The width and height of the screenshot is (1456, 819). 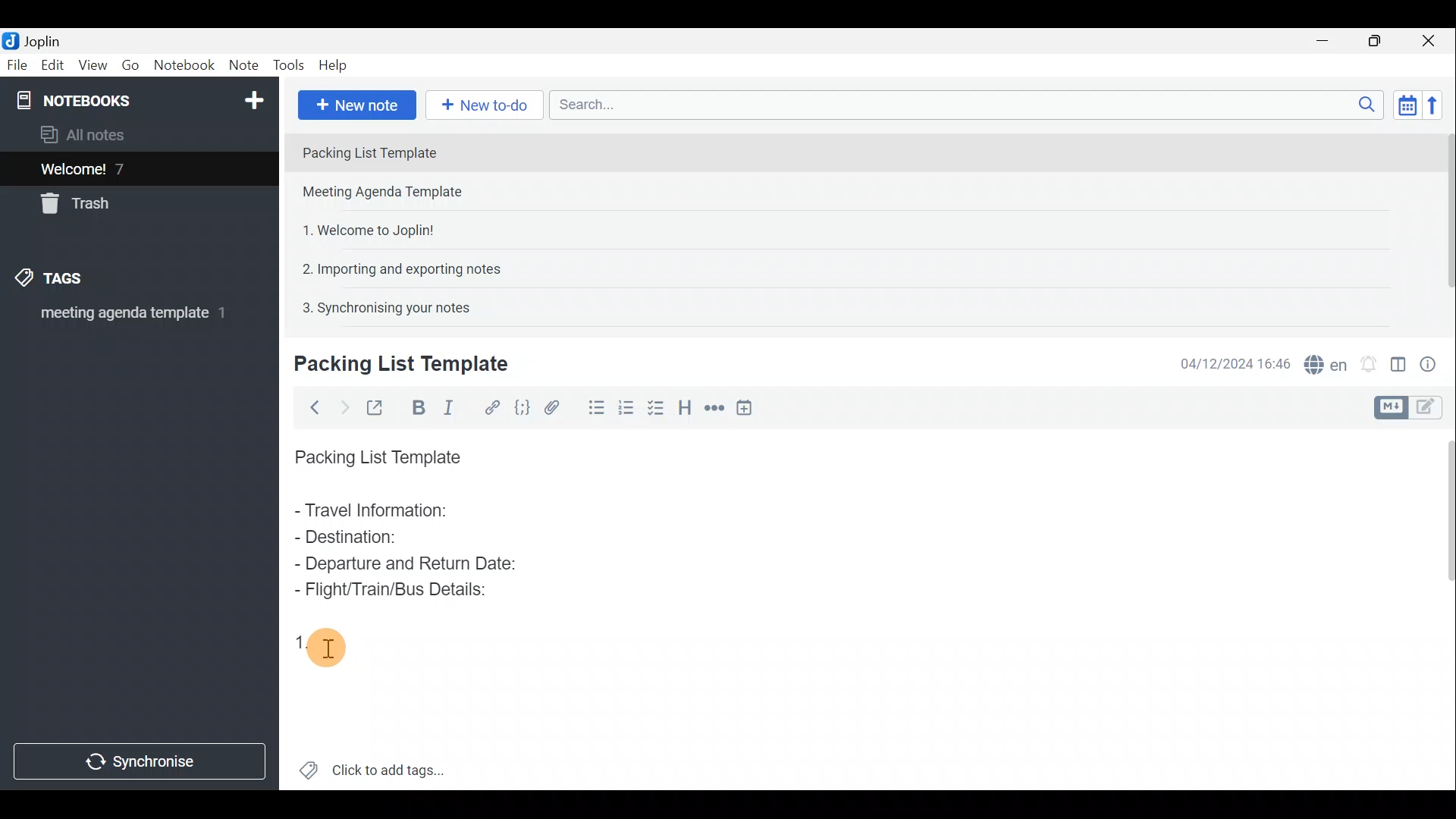 What do you see at coordinates (372, 766) in the screenshot?
I see `Click to add tags` at bounding box center [372, 766].